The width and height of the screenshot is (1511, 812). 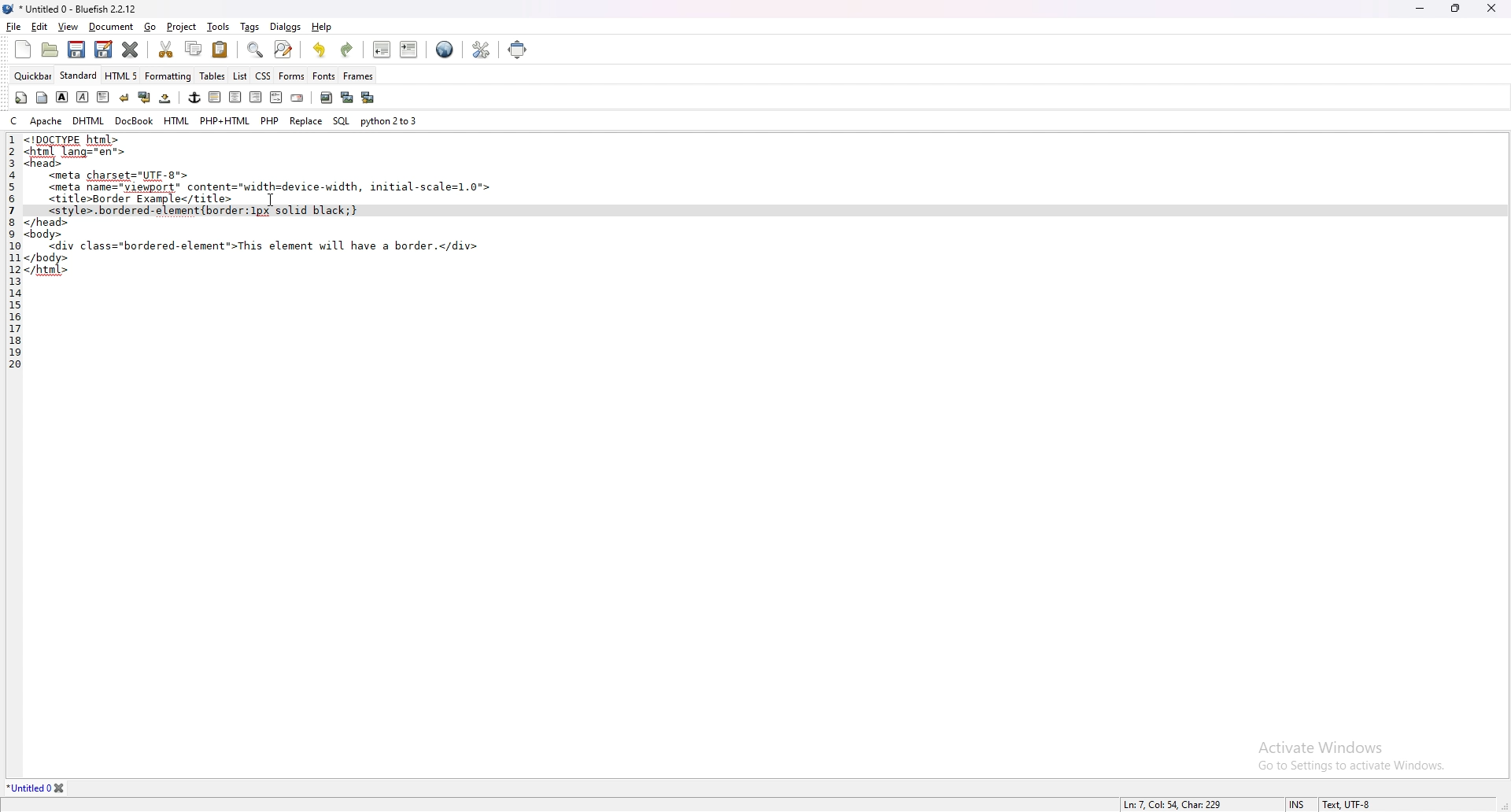 What do you see at coordinates (390, 120) in the screenshot?
I see `python 2 to 3` at bounding box center [390, 120].